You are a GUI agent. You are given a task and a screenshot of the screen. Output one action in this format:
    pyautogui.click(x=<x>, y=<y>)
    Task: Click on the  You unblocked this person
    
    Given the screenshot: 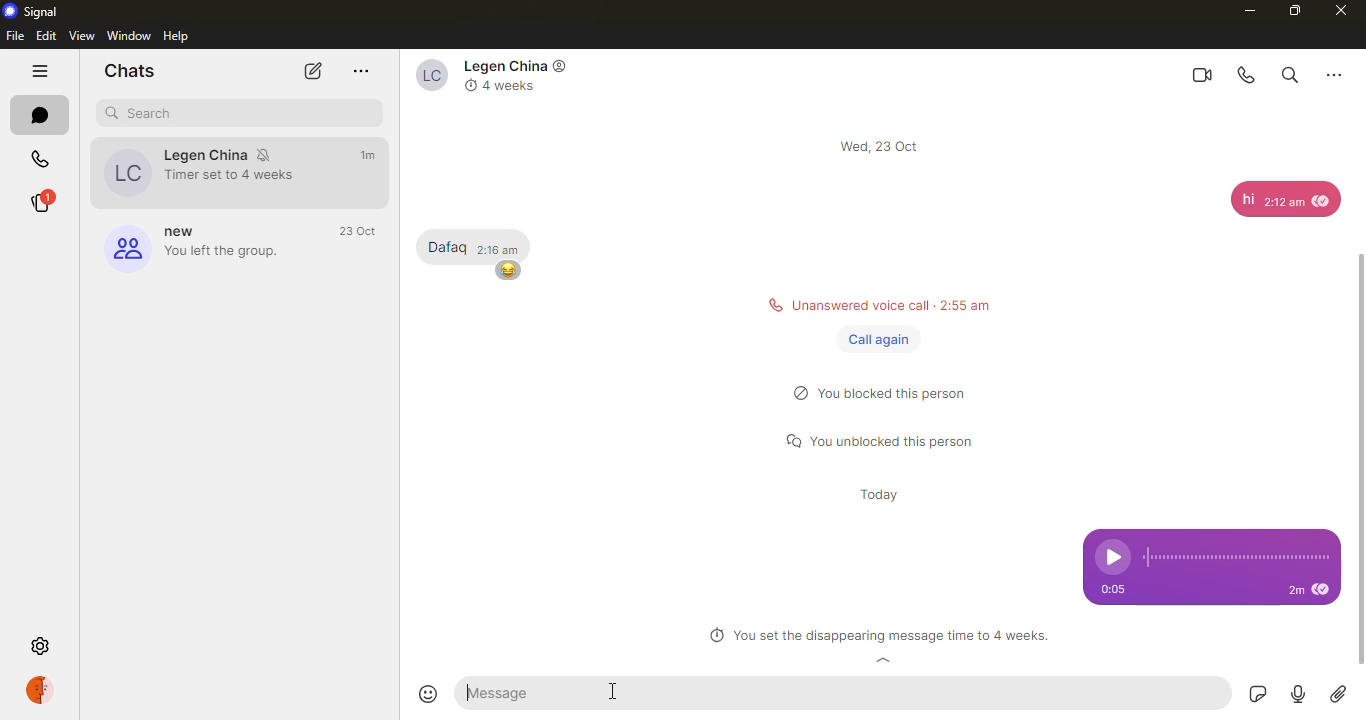 What is the action you would take?
    pyautogui.click(x=887, y=442)
    